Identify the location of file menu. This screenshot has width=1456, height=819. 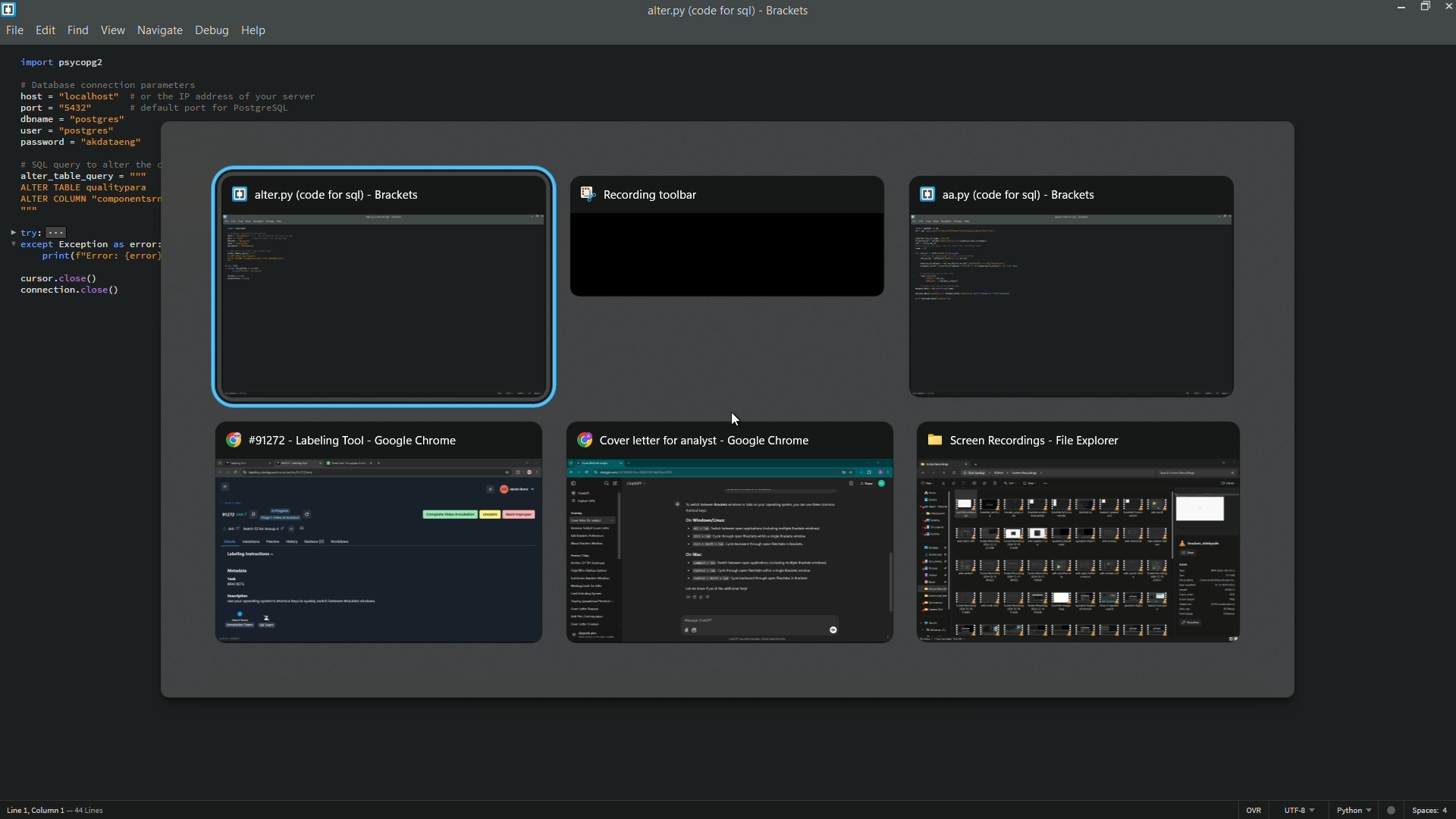
(14, 32).